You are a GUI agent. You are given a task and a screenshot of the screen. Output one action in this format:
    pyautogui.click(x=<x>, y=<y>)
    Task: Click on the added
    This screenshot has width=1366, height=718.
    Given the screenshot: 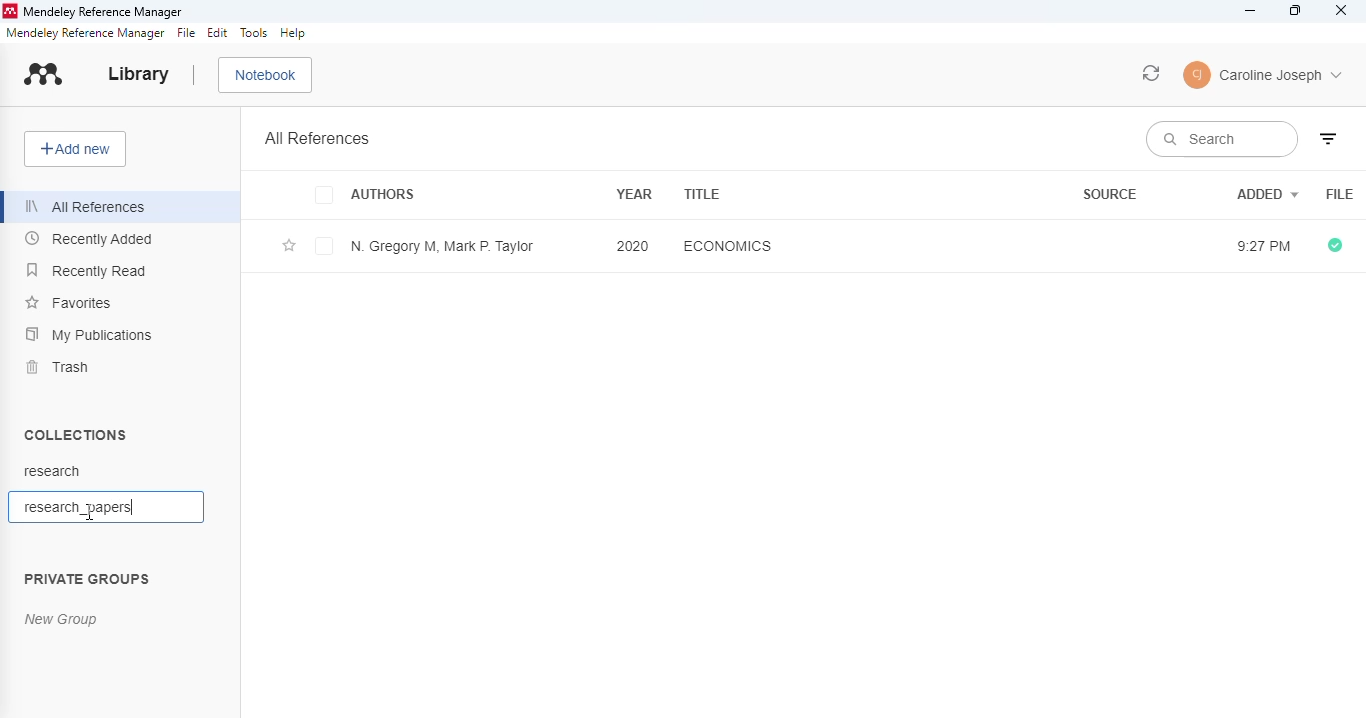 What is the action you would take?
    pyautogui.click(x=1268, y=193)
    